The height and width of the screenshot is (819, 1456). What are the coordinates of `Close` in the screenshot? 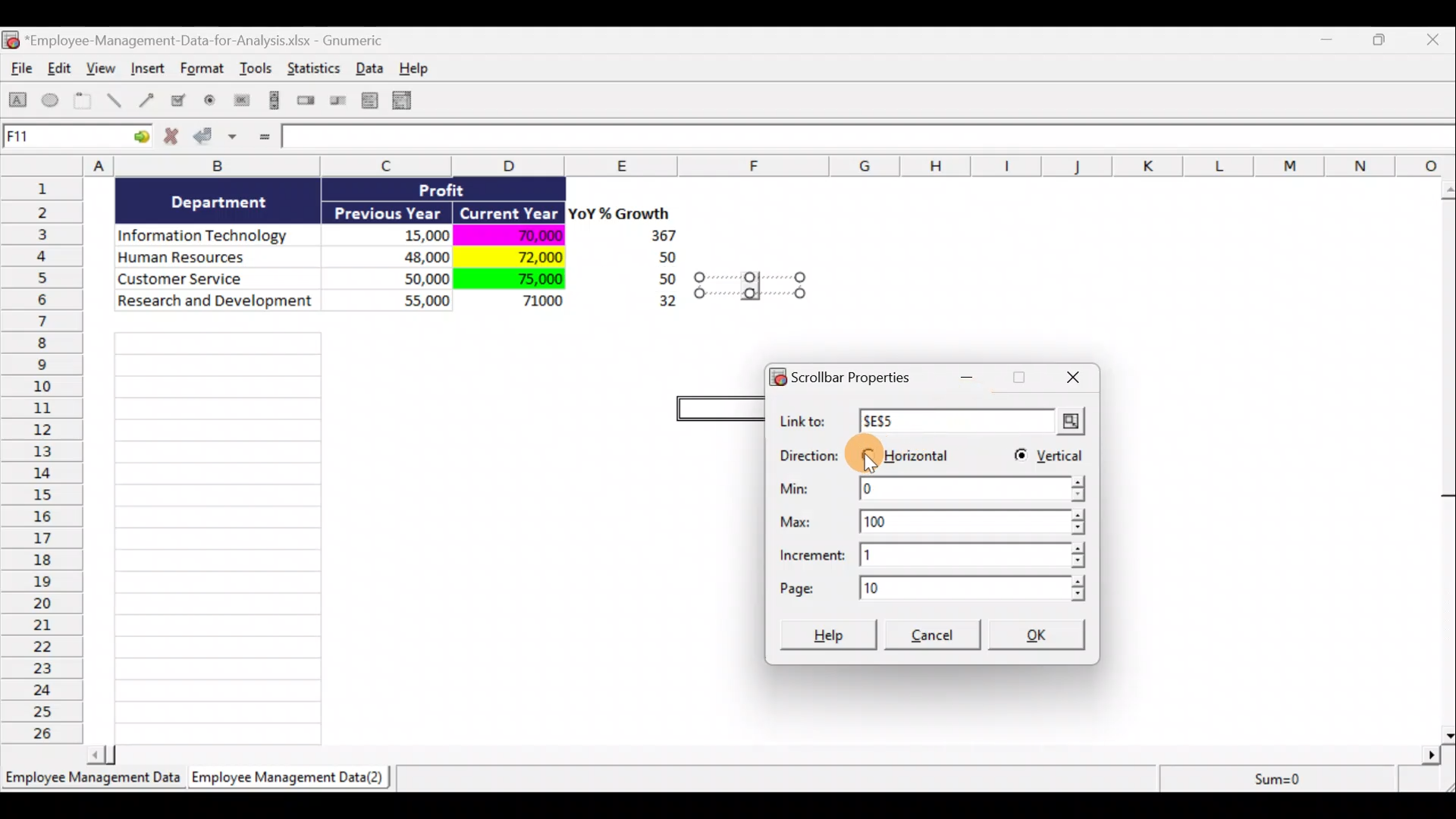 It's located at (1068, 378).